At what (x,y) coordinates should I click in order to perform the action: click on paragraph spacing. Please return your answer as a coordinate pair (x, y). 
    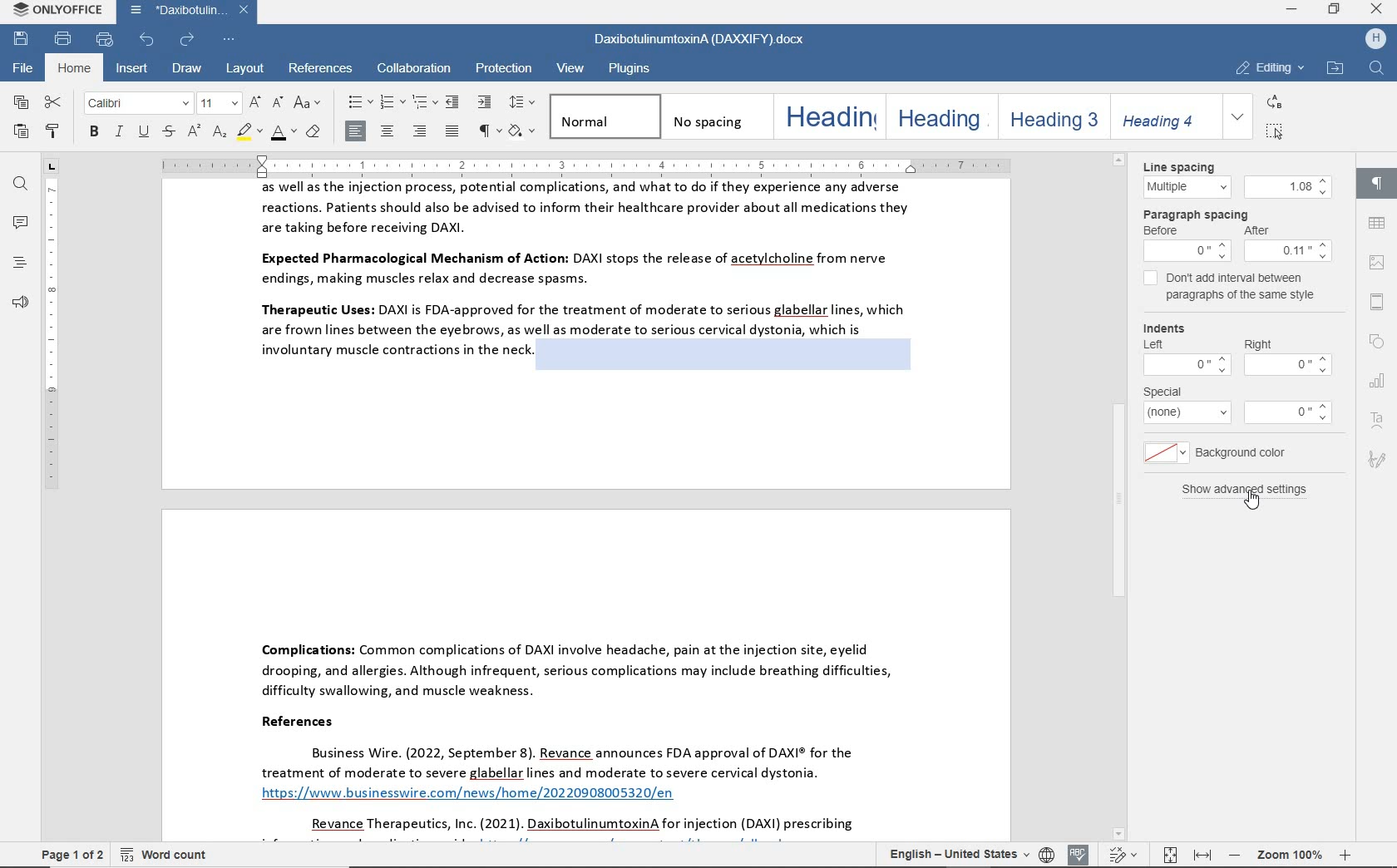
    Looking at the image, I should click on (1237, 234).